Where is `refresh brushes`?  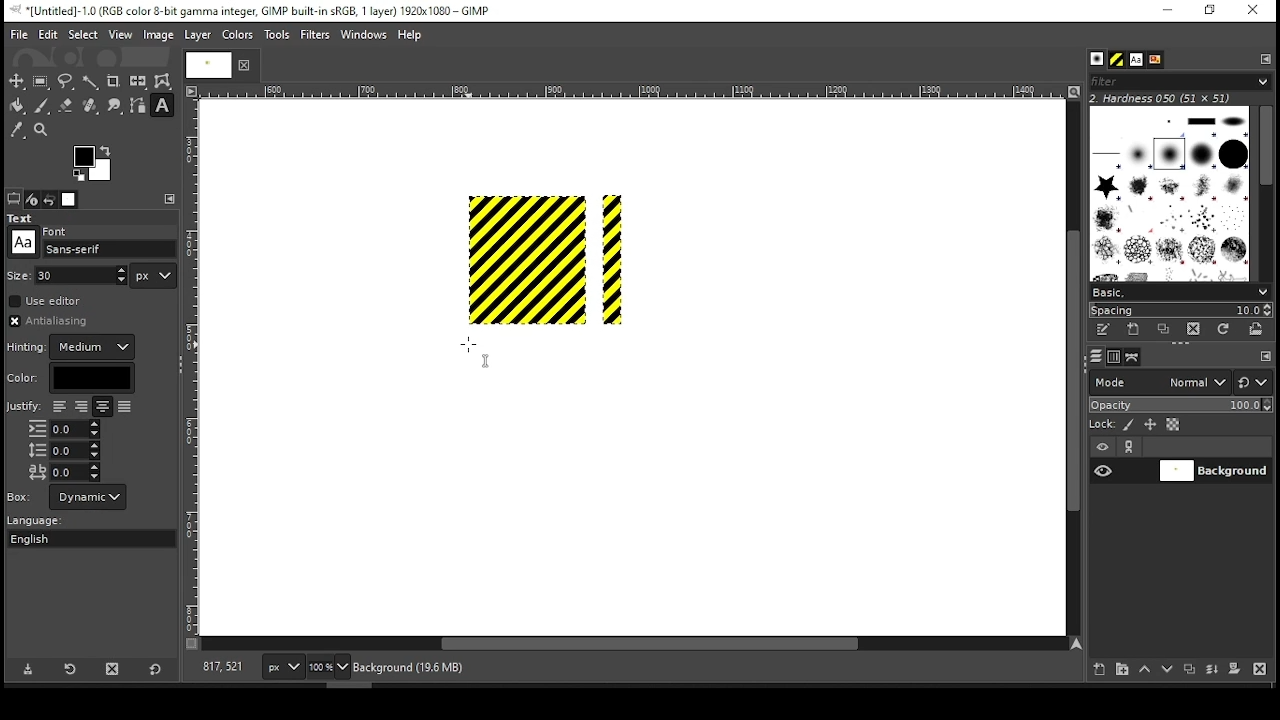 refresh brushes is located at coordinates (1222, 331).